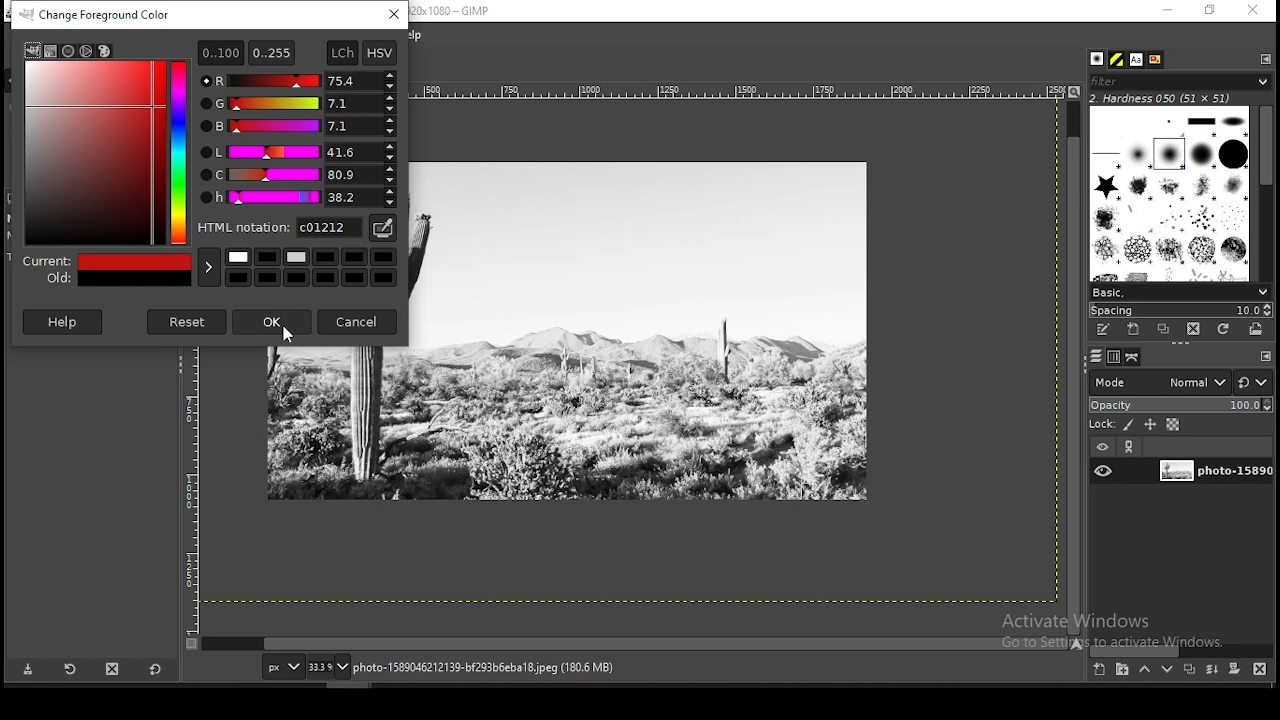  I want to click on scroll bar, so click(1074, 366).